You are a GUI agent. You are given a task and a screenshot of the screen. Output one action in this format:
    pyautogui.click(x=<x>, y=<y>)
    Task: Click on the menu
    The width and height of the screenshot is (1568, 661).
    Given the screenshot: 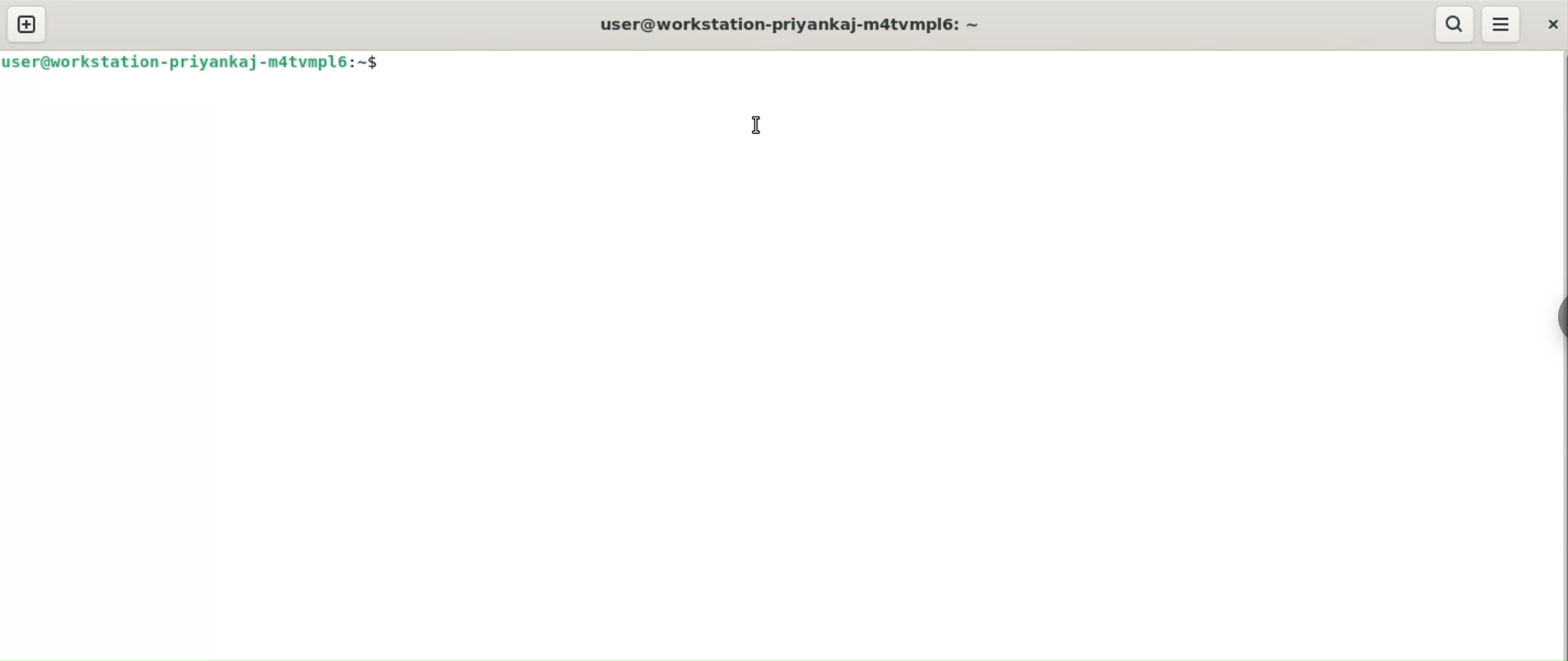 What is the action you would take?
    pyautogui.click(x=1503, y=22)
    